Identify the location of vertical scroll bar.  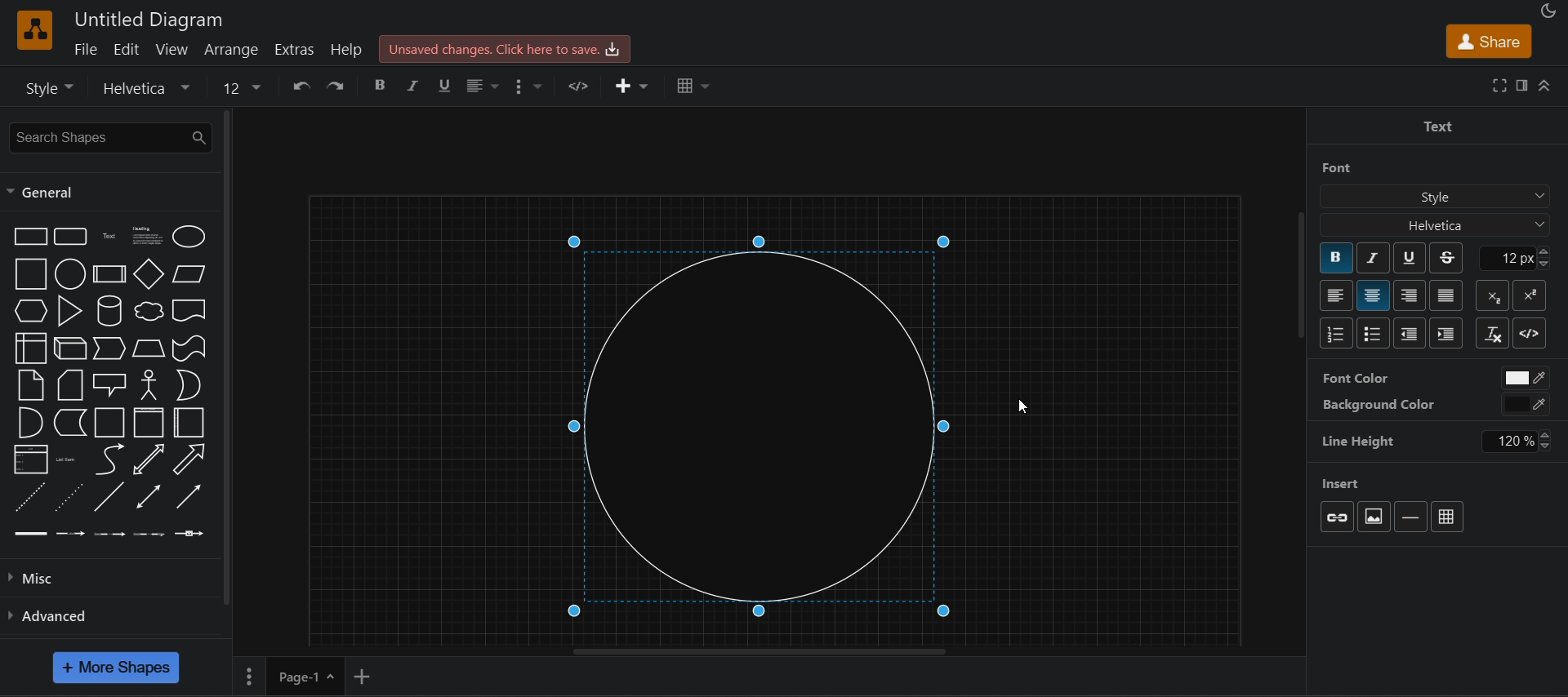
(228, 358).